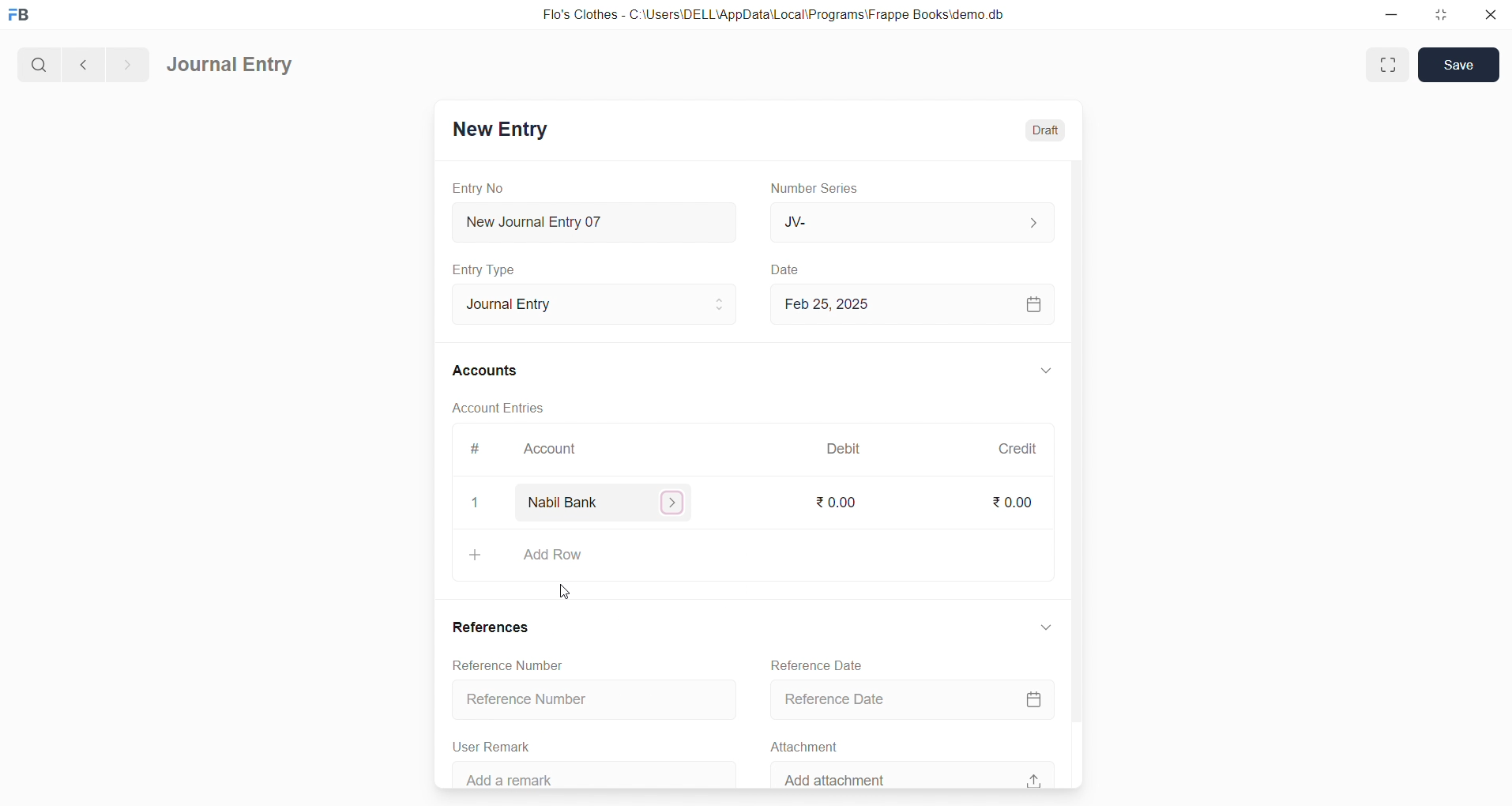 Image resolution: width=1512 pixels, height=806 pixels. What do you see at coordinates (844, 447) in the screenshot?
I see `Debit` at bounding box center [844, 447].